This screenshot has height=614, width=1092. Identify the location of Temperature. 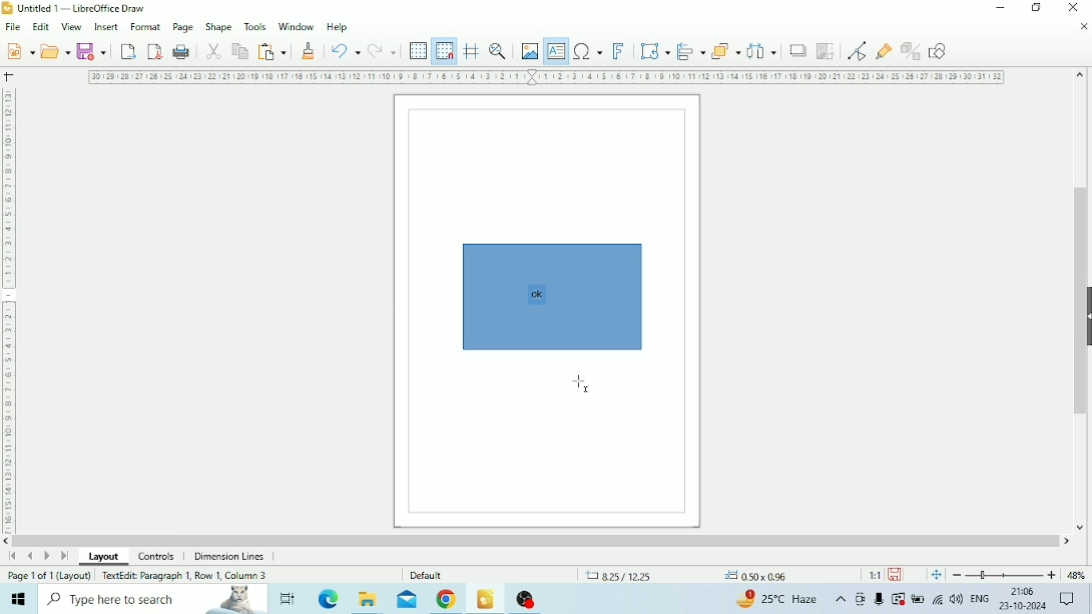
(779, 598).